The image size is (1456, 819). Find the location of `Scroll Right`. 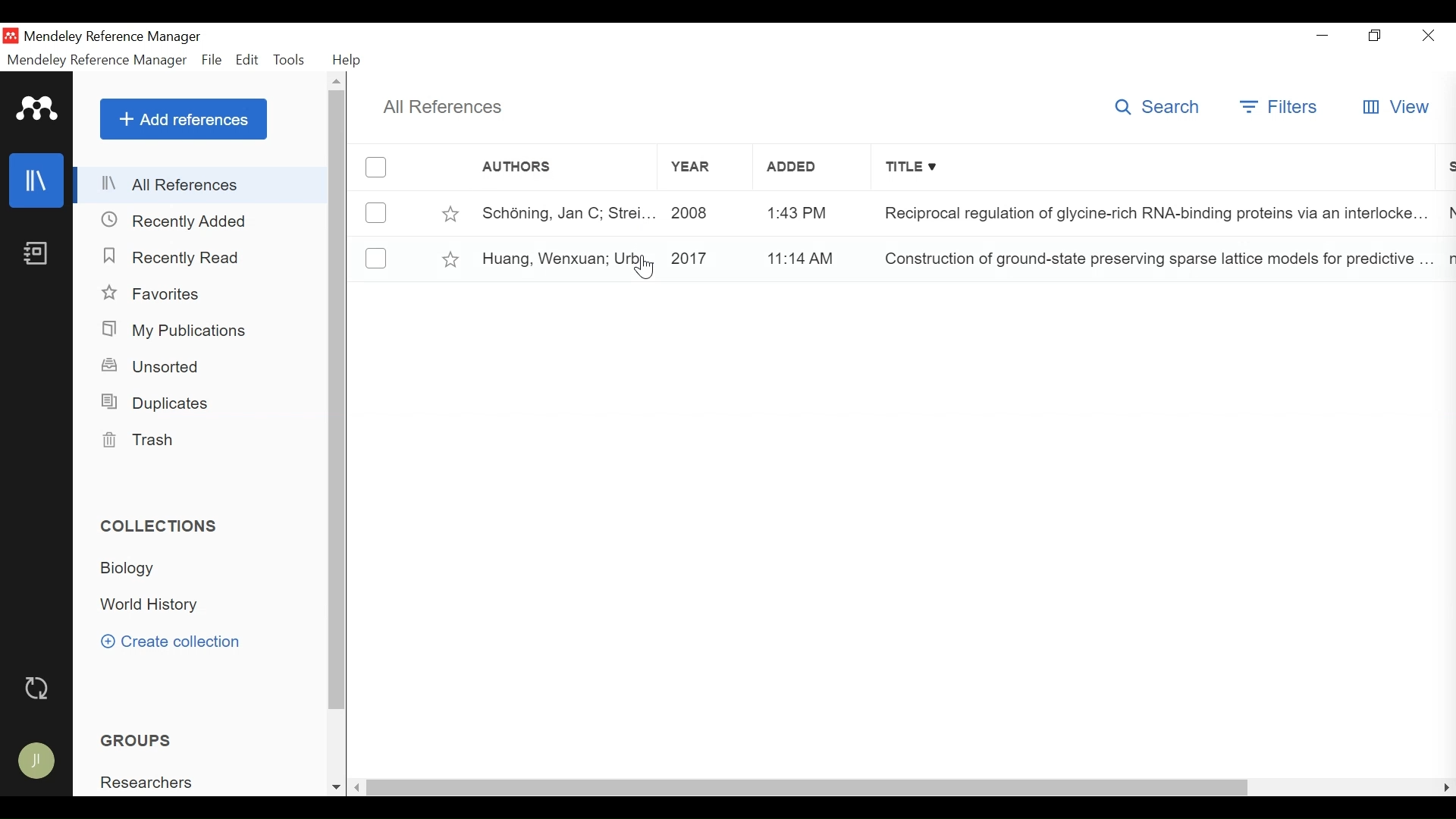

Scroll Right is located at coordinates (1446, 787).